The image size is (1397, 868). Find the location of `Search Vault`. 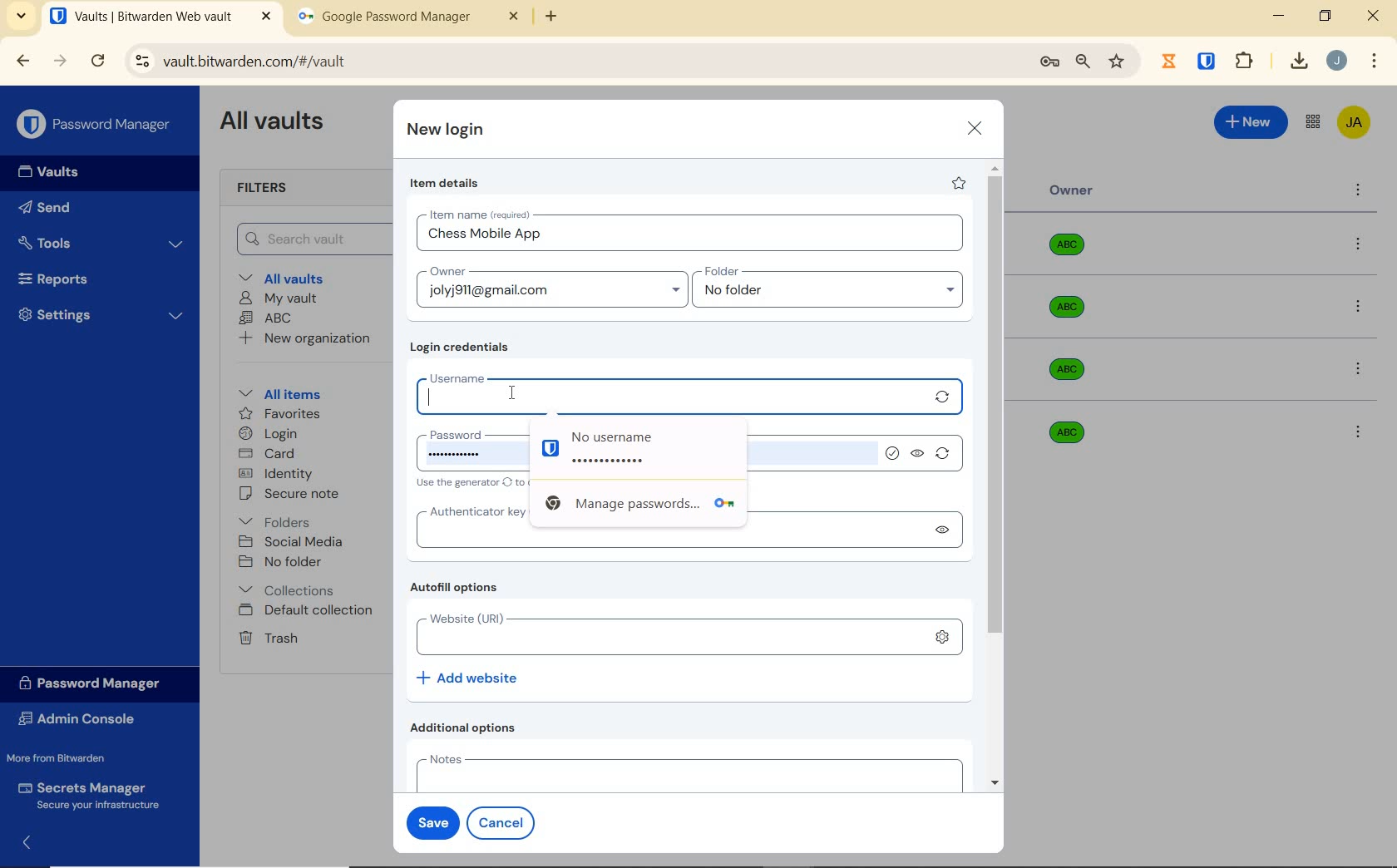

Search Vault is located at coordinates (309, 239).